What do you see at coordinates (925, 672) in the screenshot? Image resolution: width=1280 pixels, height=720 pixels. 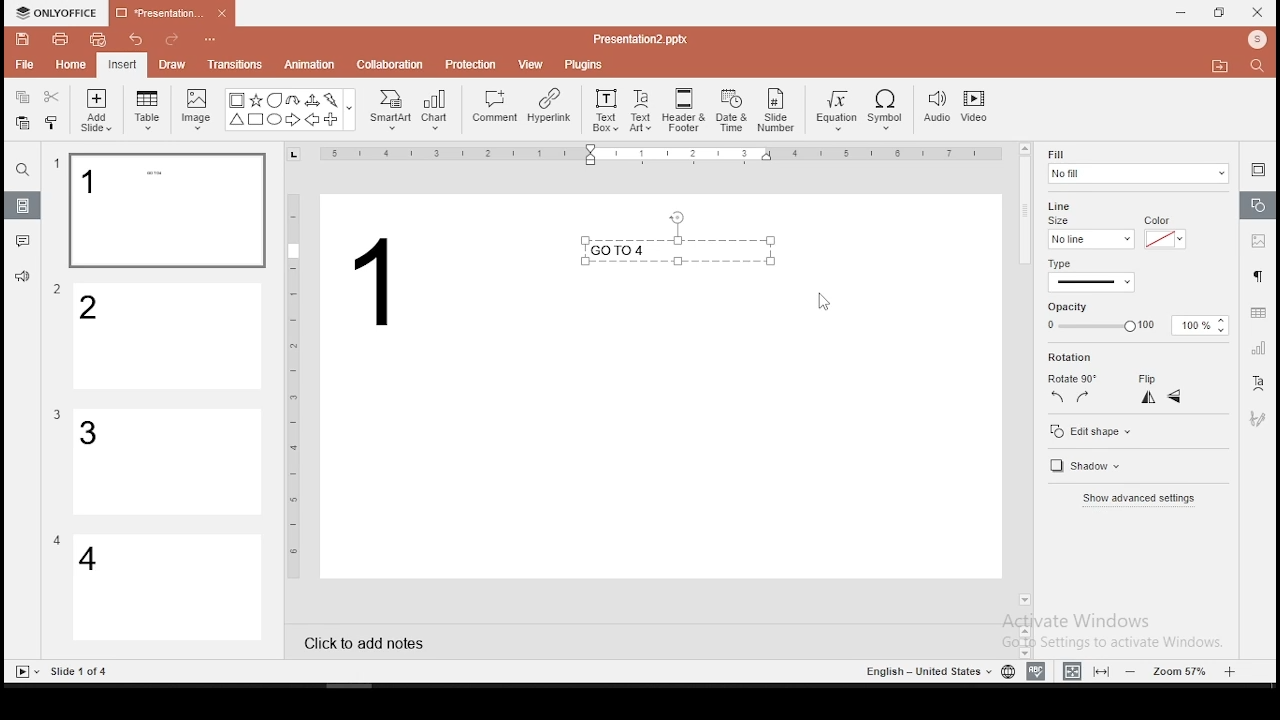 I see `Language` at bounding box center [925, 672].